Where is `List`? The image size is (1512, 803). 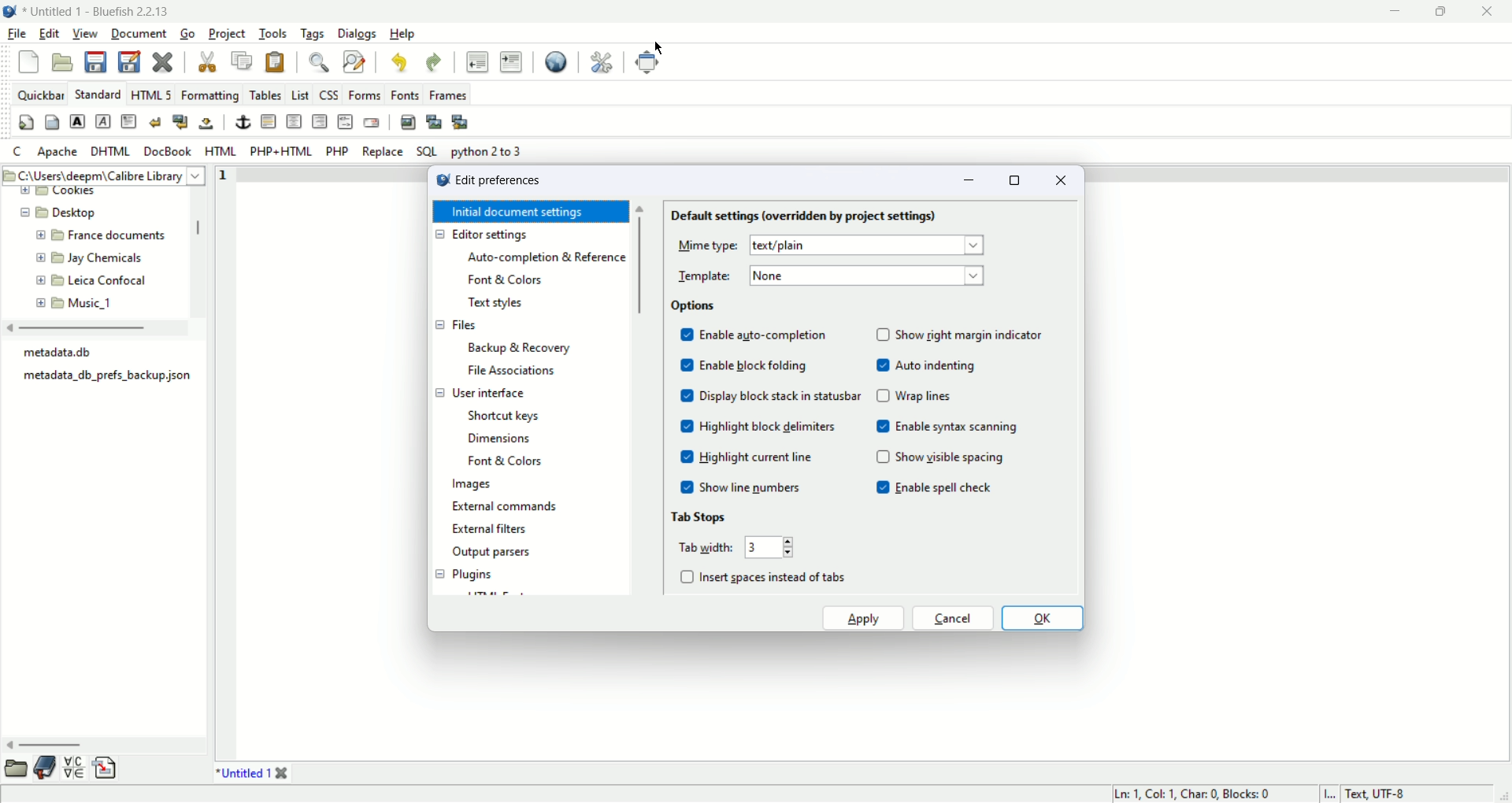
List is located at coordinates (298, 96).